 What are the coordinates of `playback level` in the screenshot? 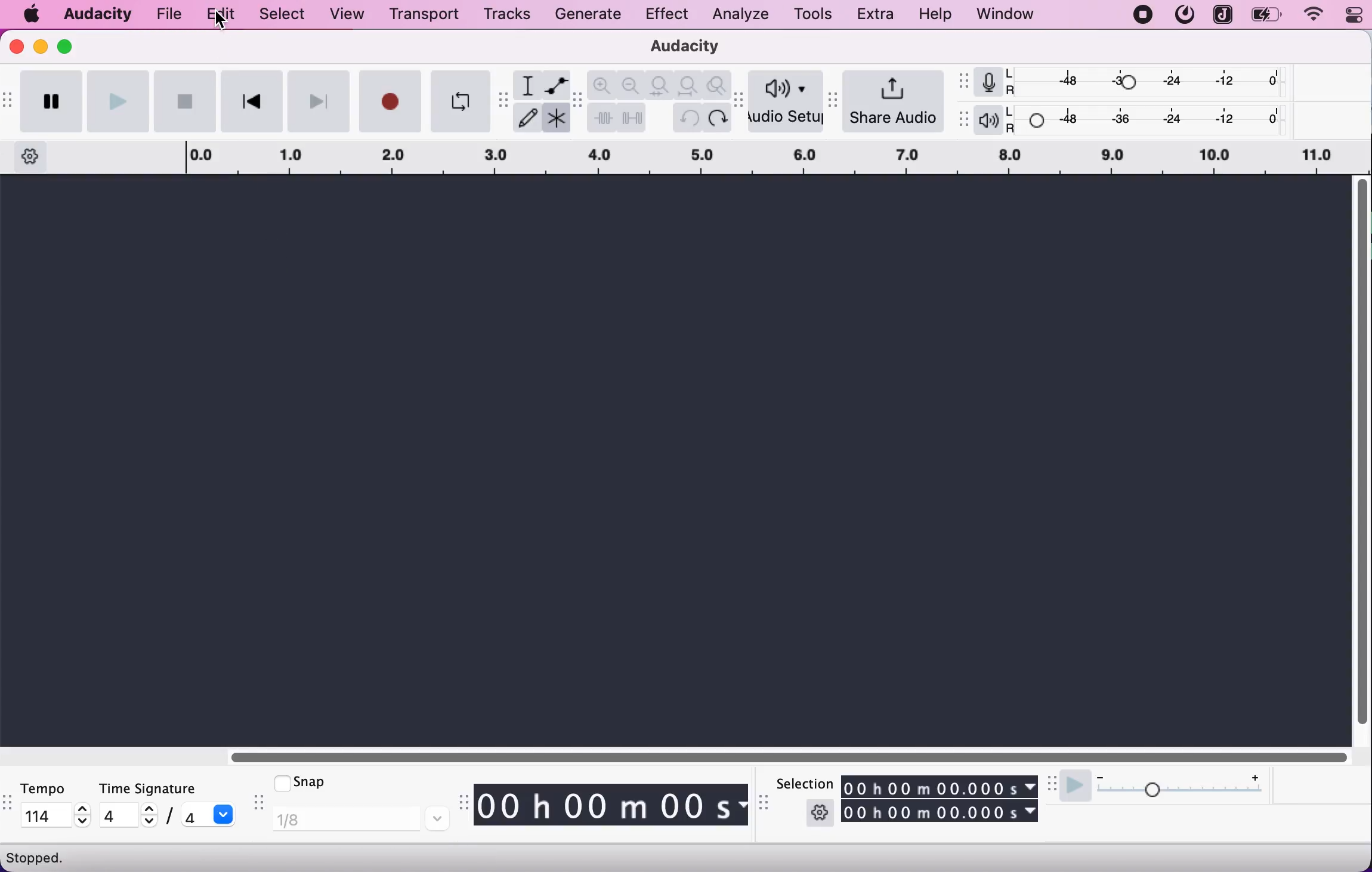 It's located at (1149, 120).